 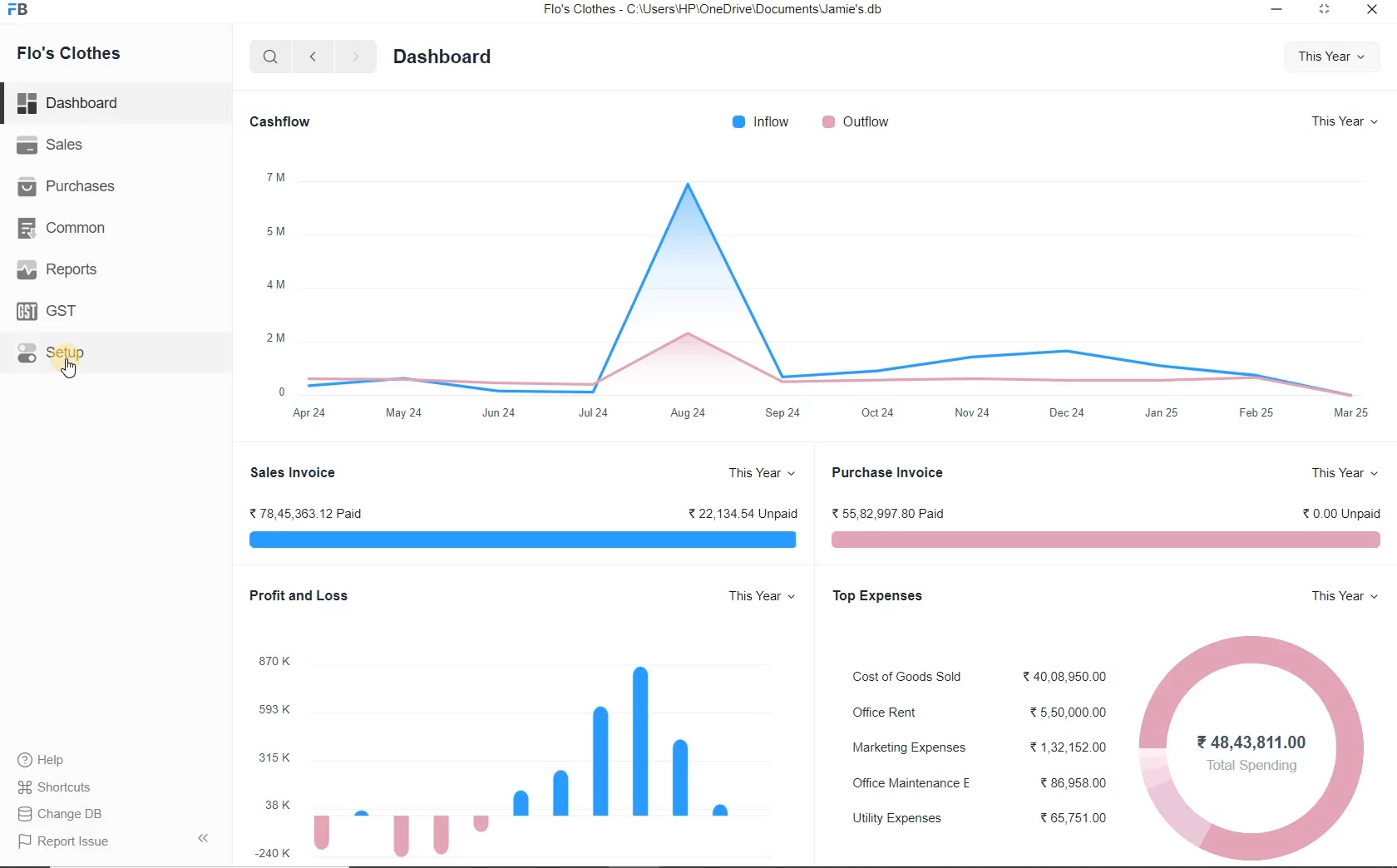 What do you see at coordinates (116, 351) in the screenshot?
I see `Setup` at bounding box center [116, 351].